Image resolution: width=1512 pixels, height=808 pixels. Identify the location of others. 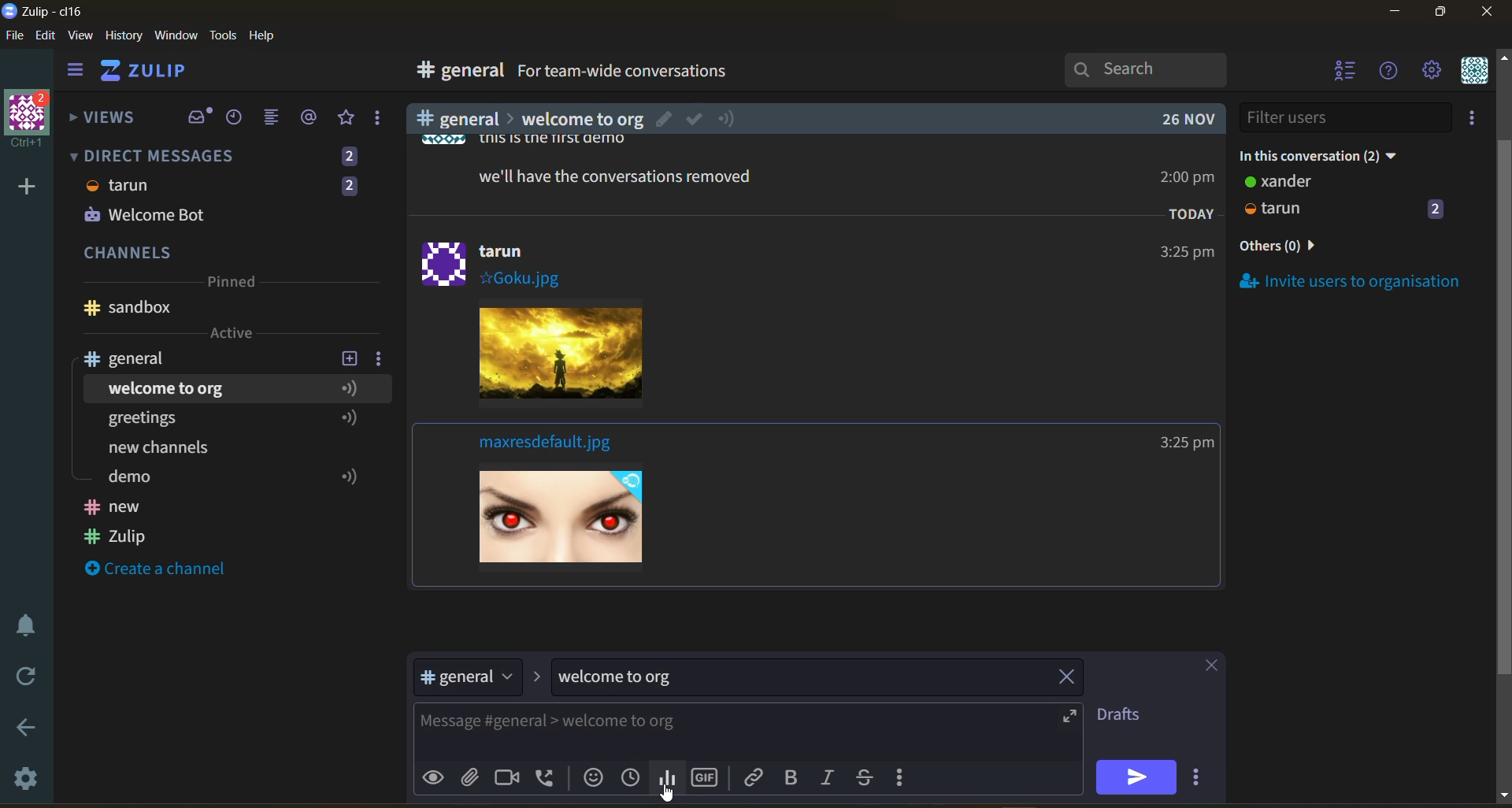
(1303, 247).